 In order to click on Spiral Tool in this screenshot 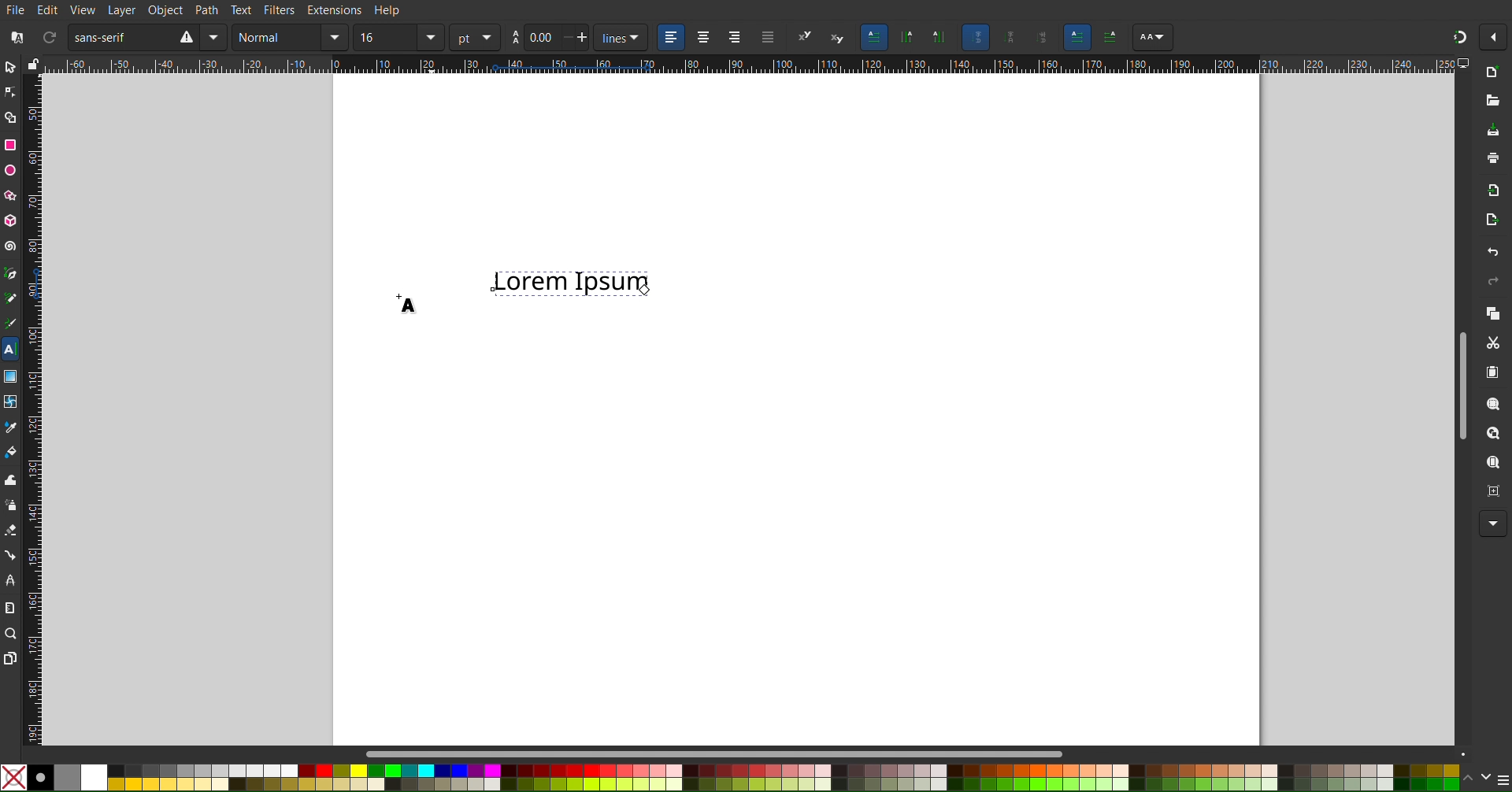, I will do `click(10, 245)`.